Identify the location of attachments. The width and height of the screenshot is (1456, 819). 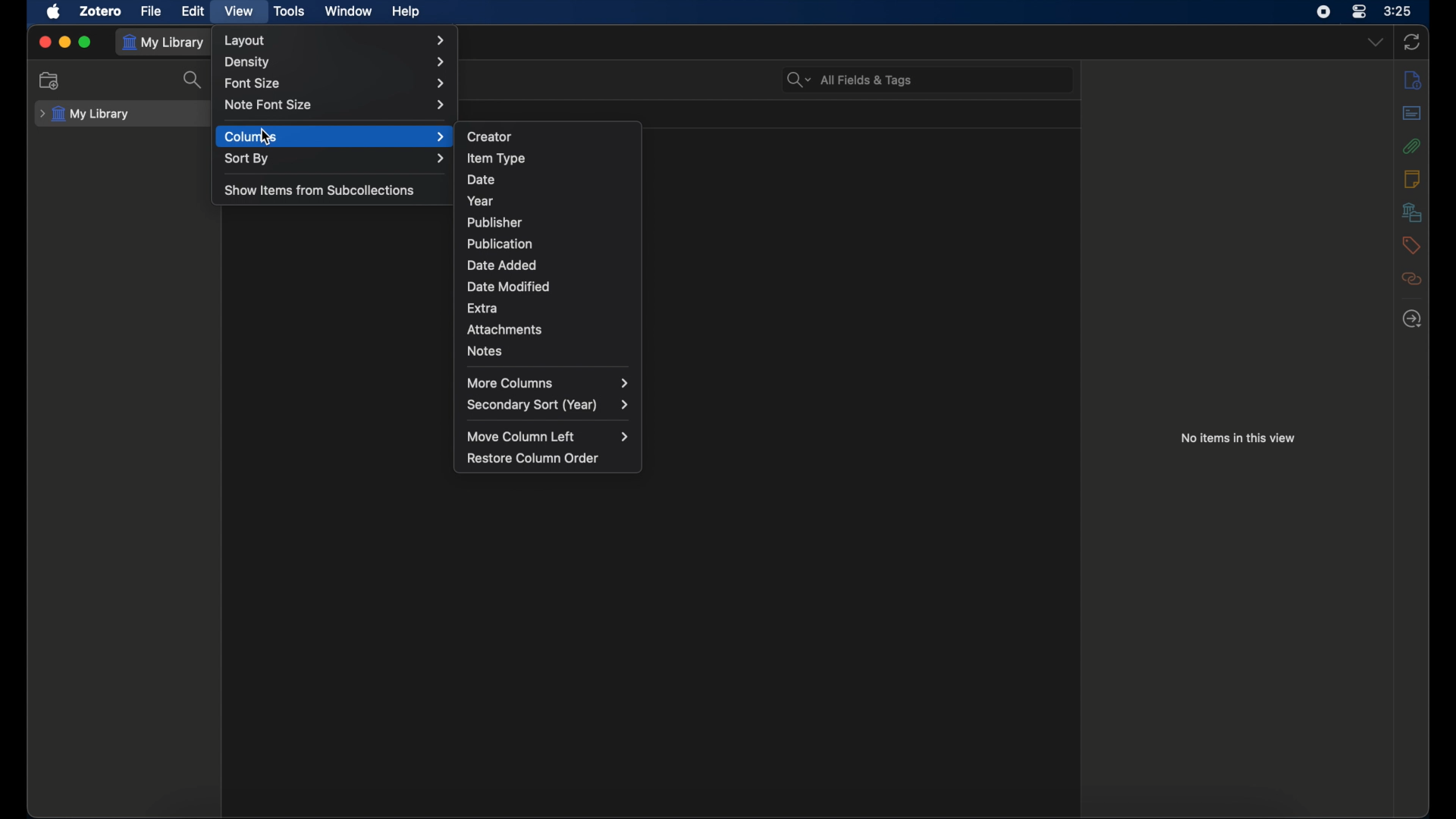
(505, 330).